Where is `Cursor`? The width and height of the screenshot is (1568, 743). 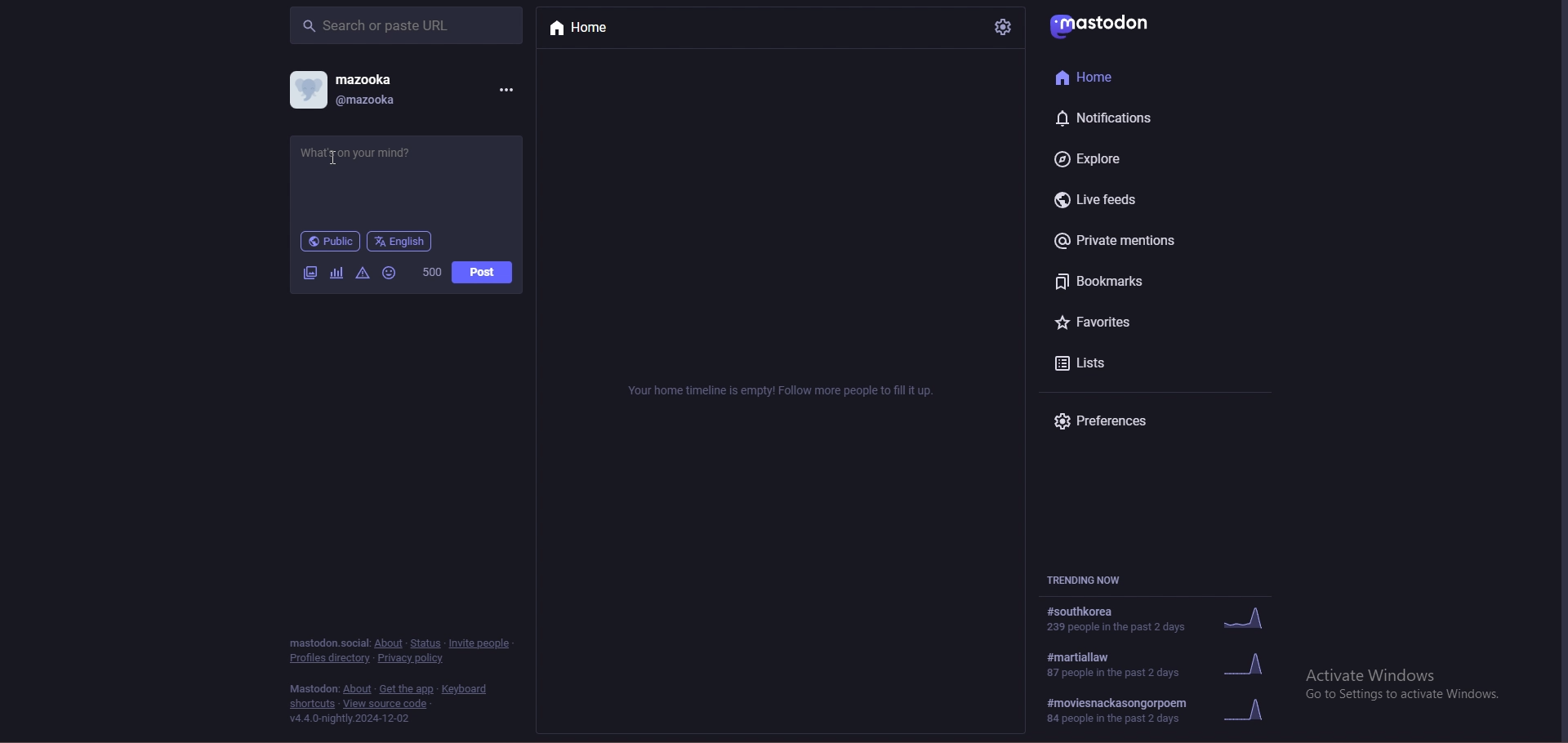 Cursor is located at coordinates (331, 161).